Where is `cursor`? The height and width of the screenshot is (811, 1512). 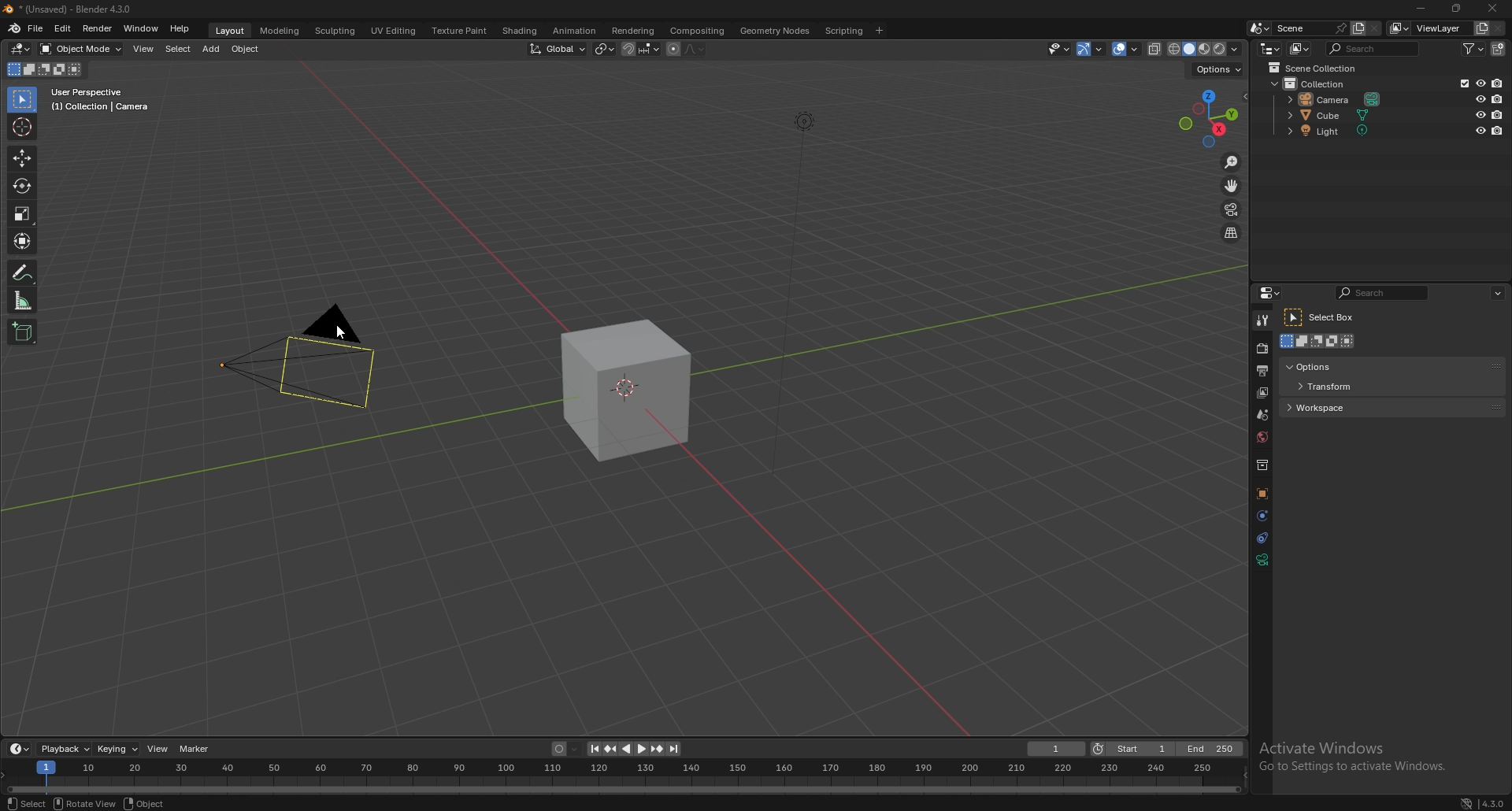
cursor is located at coordinates (24, 126).